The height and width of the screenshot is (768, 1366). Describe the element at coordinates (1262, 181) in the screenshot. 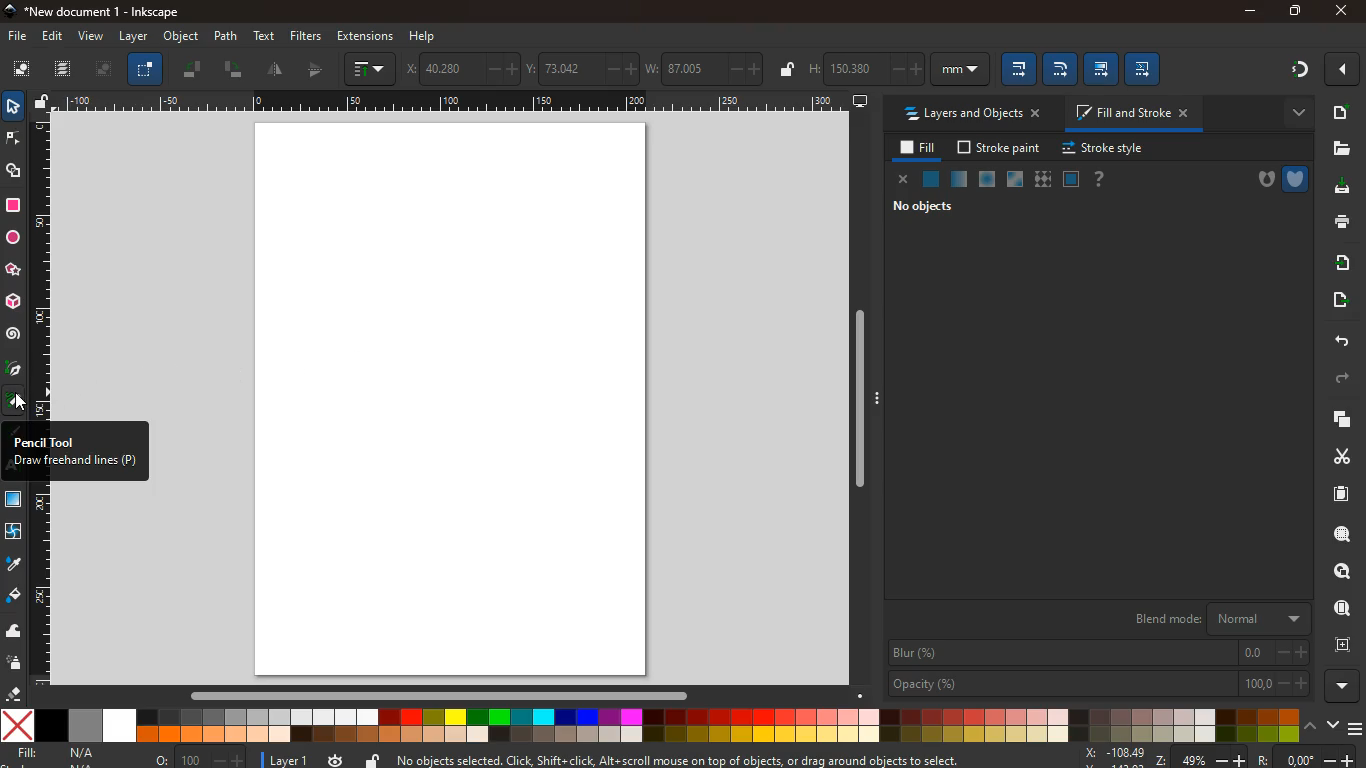

I see `hole` at that location.